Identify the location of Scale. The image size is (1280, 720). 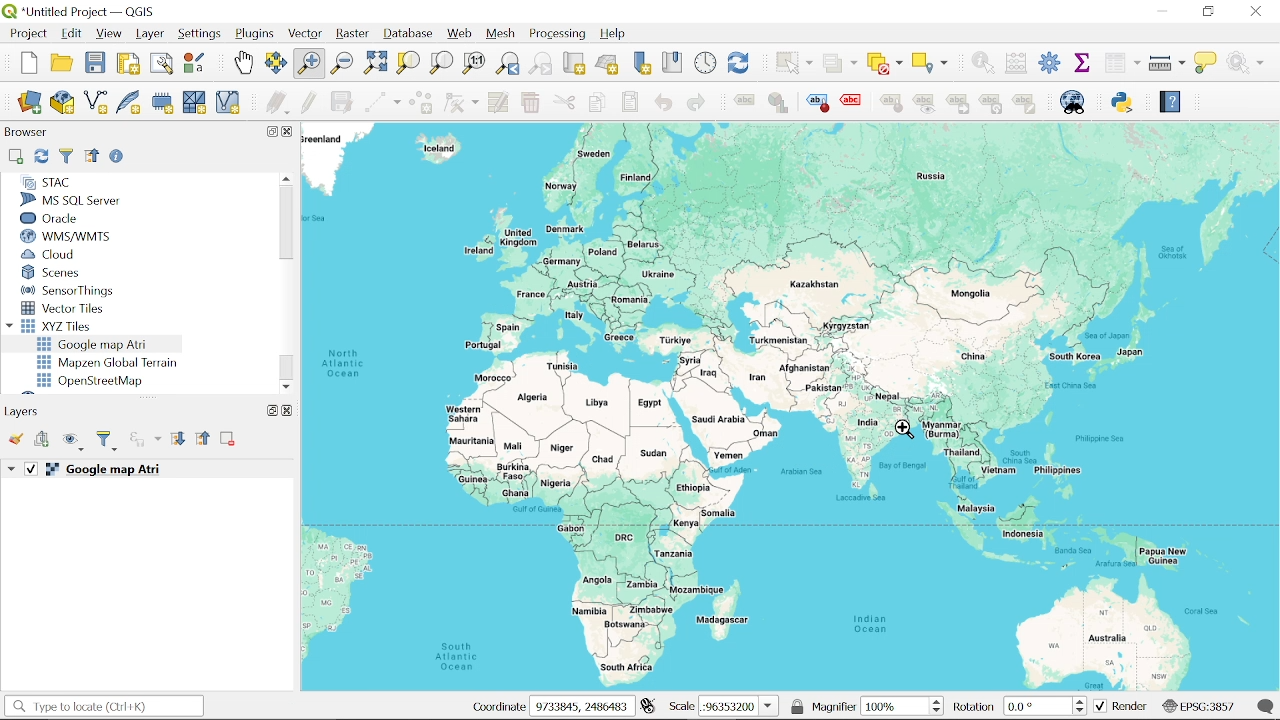
(739, 707).